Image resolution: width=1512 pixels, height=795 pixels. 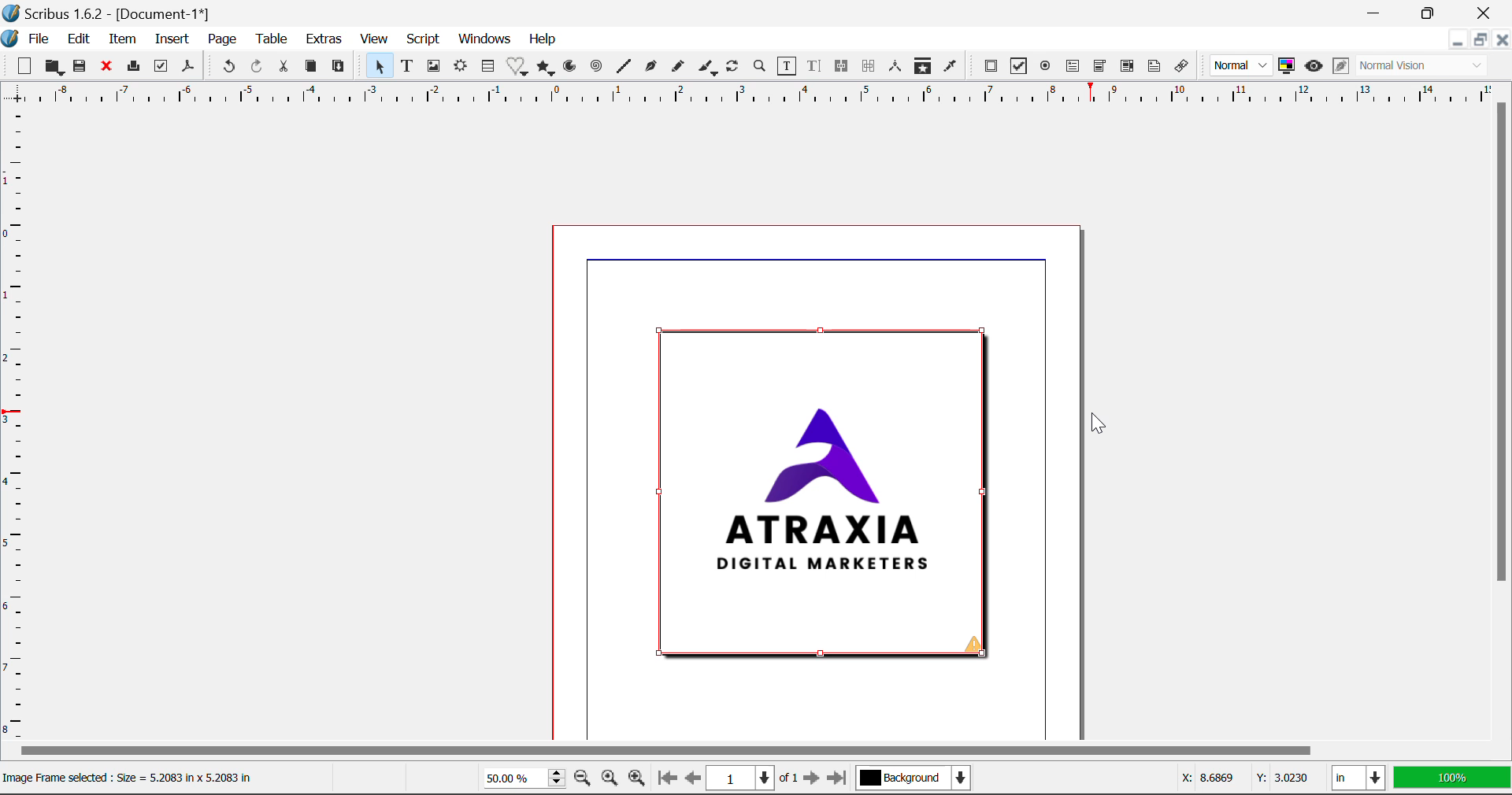 What do you see at coordinates (840, 775) in the screenshot?
I see `Last page` at bounding box center [840, 775].